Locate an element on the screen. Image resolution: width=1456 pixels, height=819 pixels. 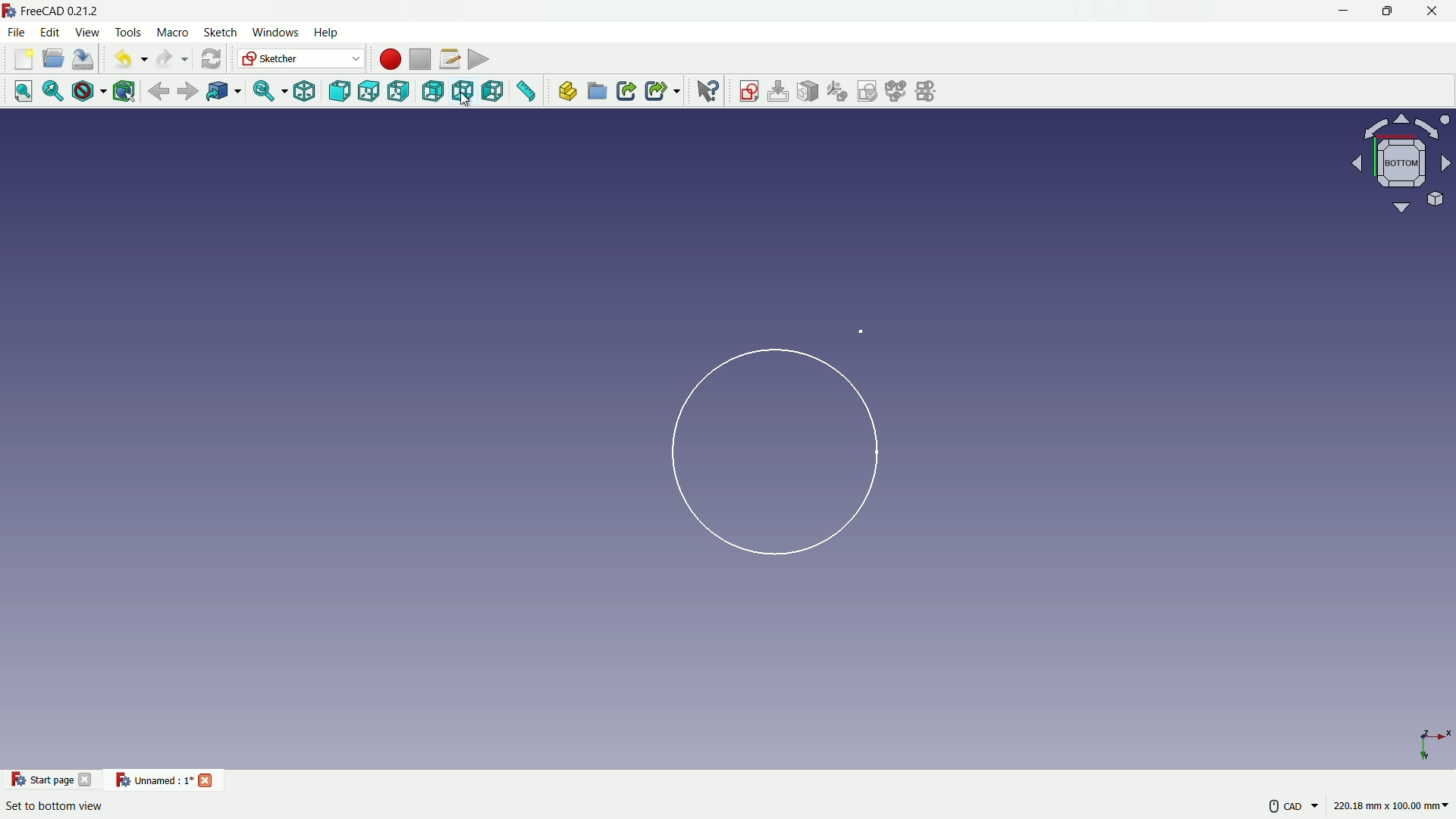
undo is located at coordinates (127, 58).